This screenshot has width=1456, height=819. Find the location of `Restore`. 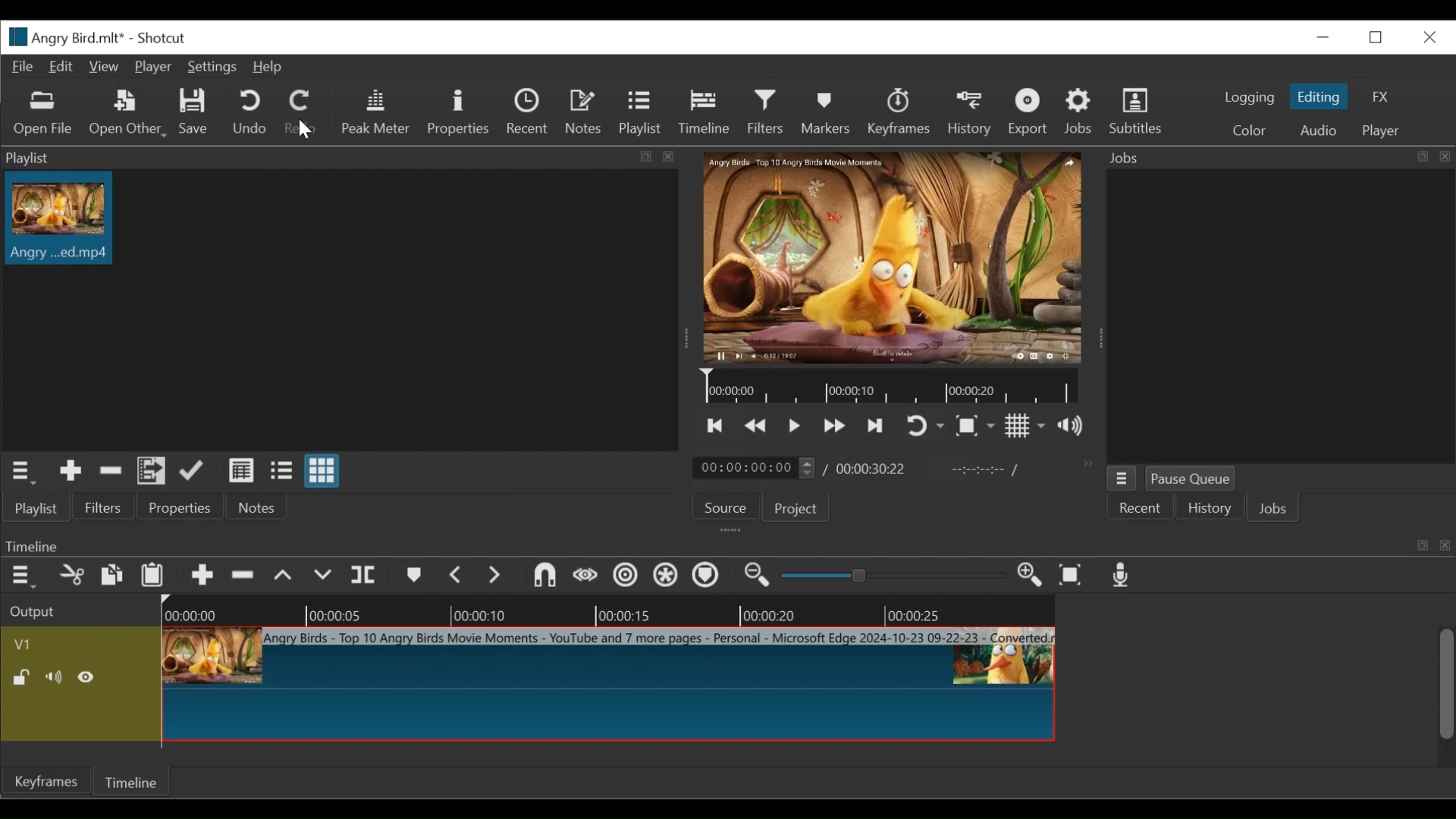

Restore is located at coordinates (1379, 37).